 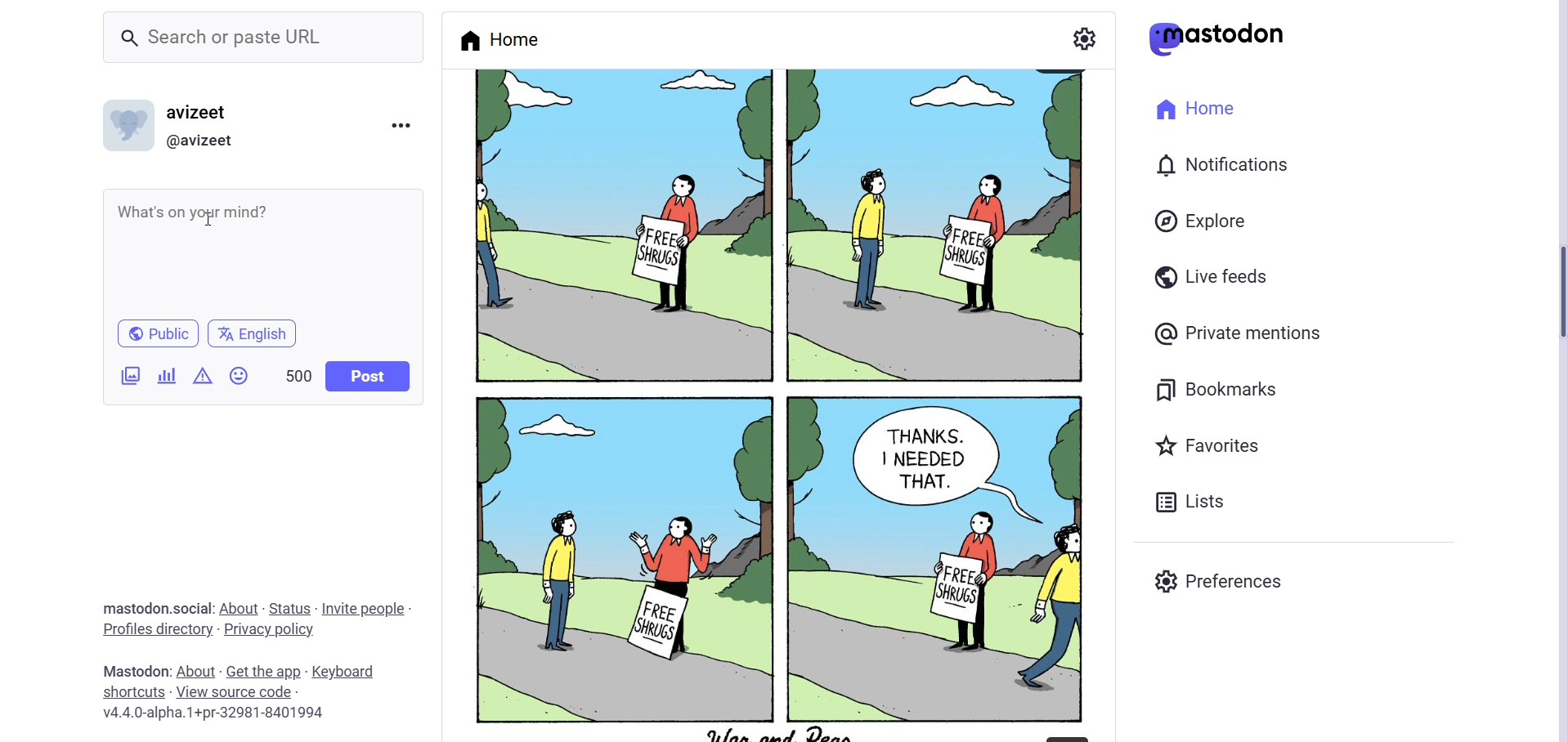 I want to click on Search Bar, so click(x=263, y=40).